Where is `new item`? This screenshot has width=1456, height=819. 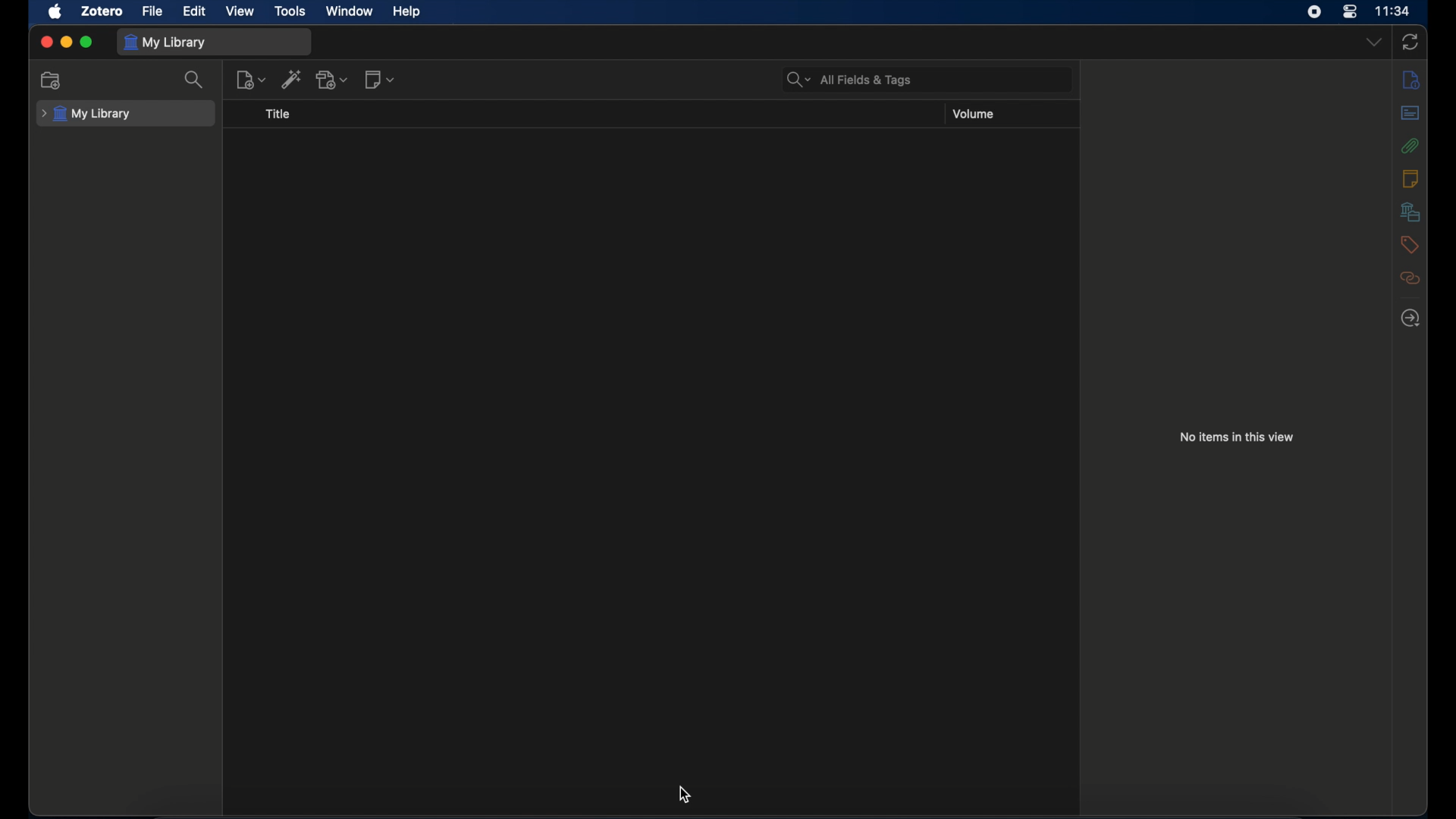
new item is located at coordinates (251, 80).